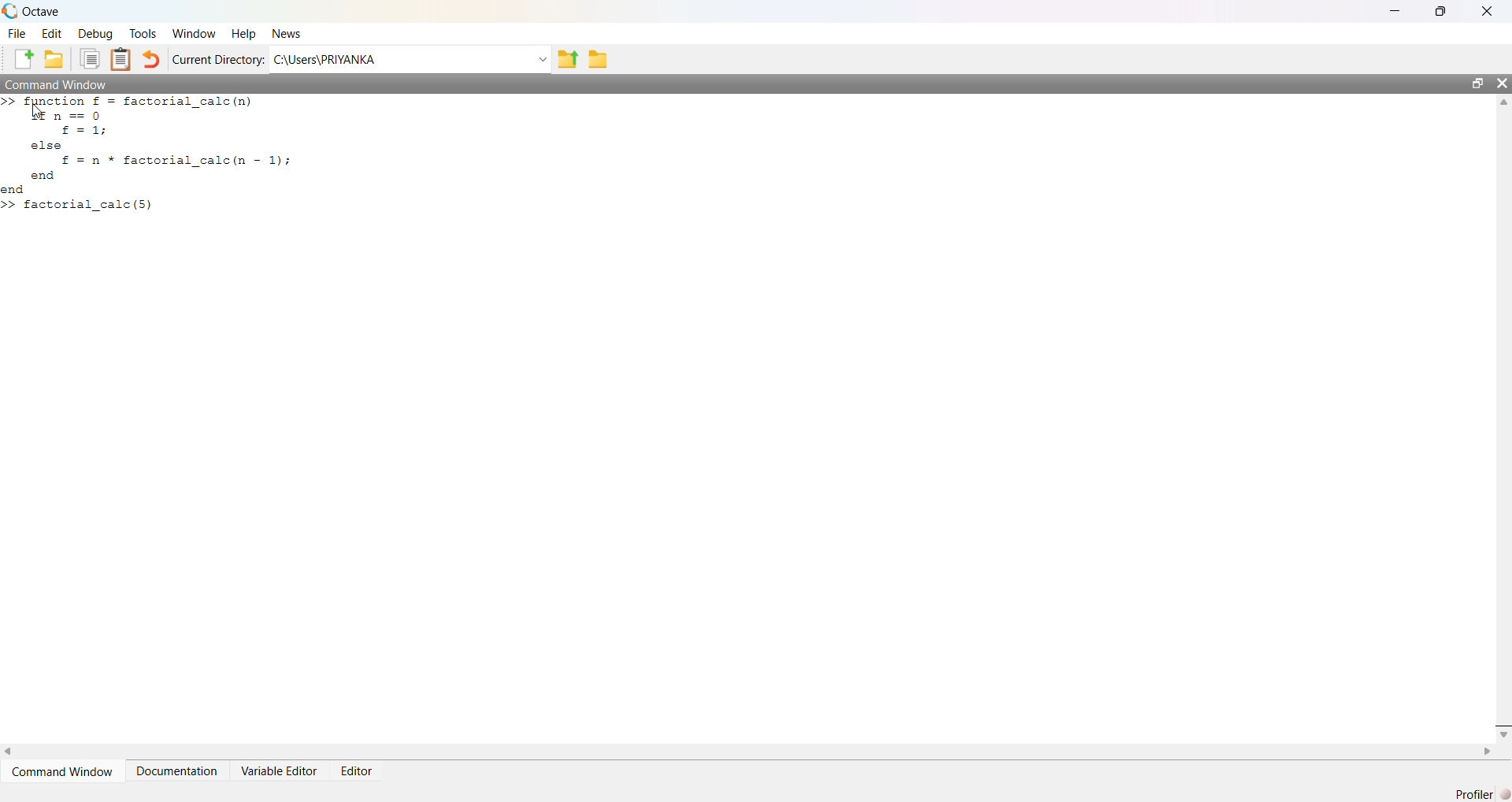 The height and width of the screenshot is (802, 1512). I want to click on close, so click(1490, 10).